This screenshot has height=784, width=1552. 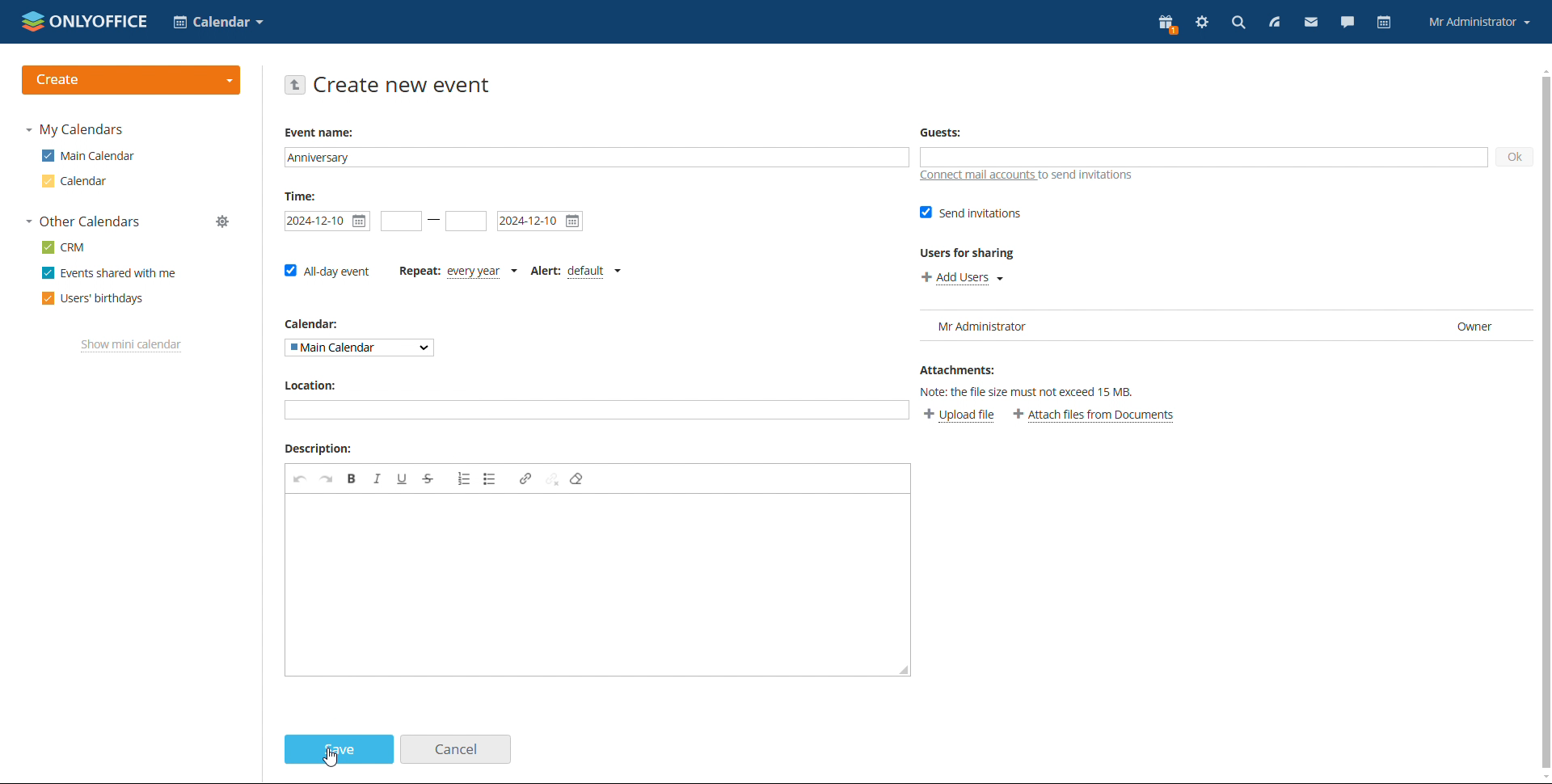 I want to click on upload file, so click(x=962, y=415).